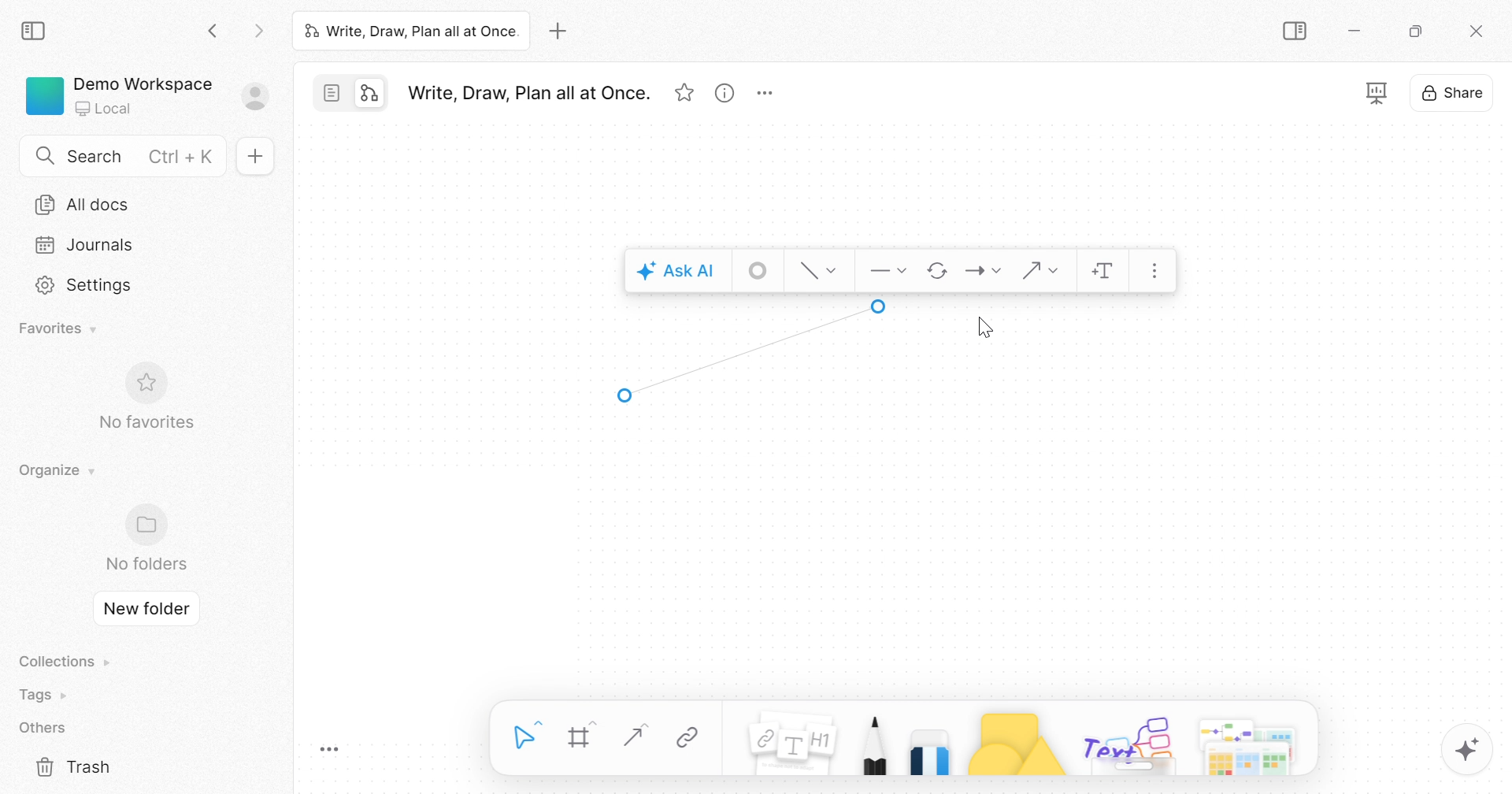  I want to click on More, so click(1160, 272).